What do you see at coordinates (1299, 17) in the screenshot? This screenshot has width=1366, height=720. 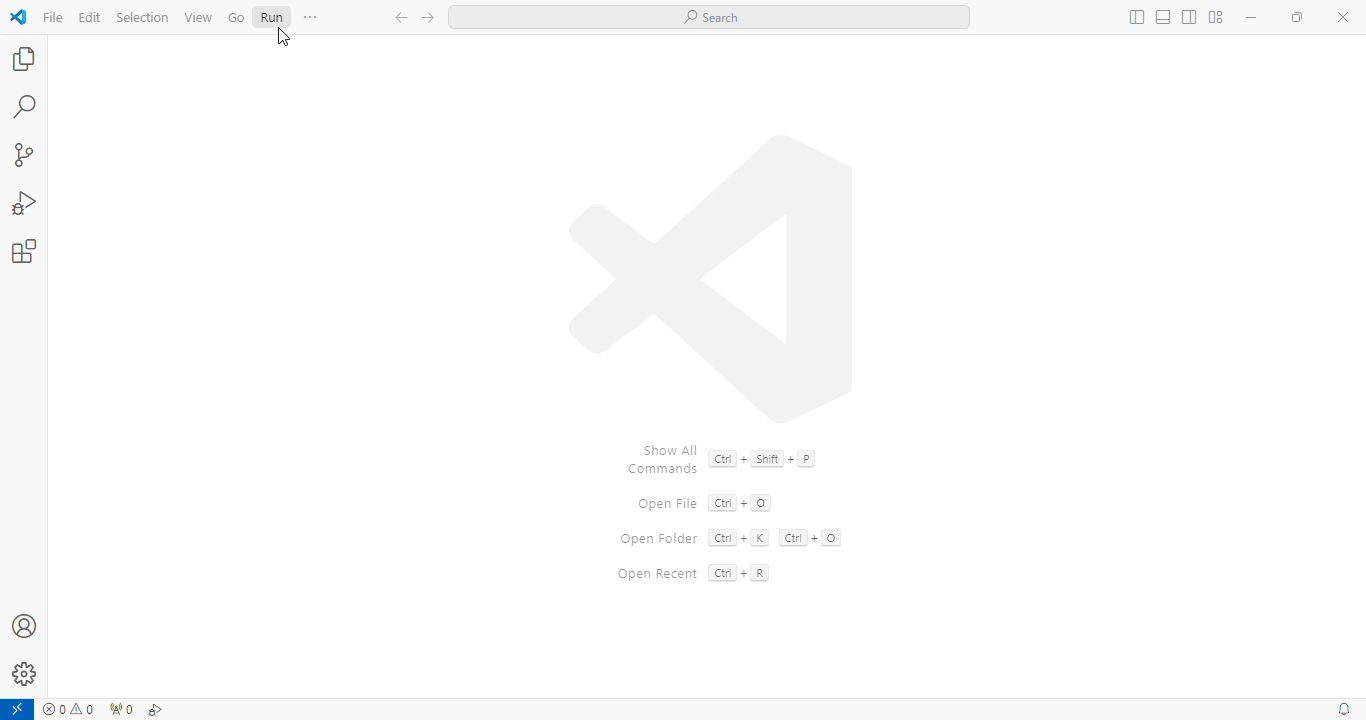 I see `maximize` at bounding box center [1299, 17].